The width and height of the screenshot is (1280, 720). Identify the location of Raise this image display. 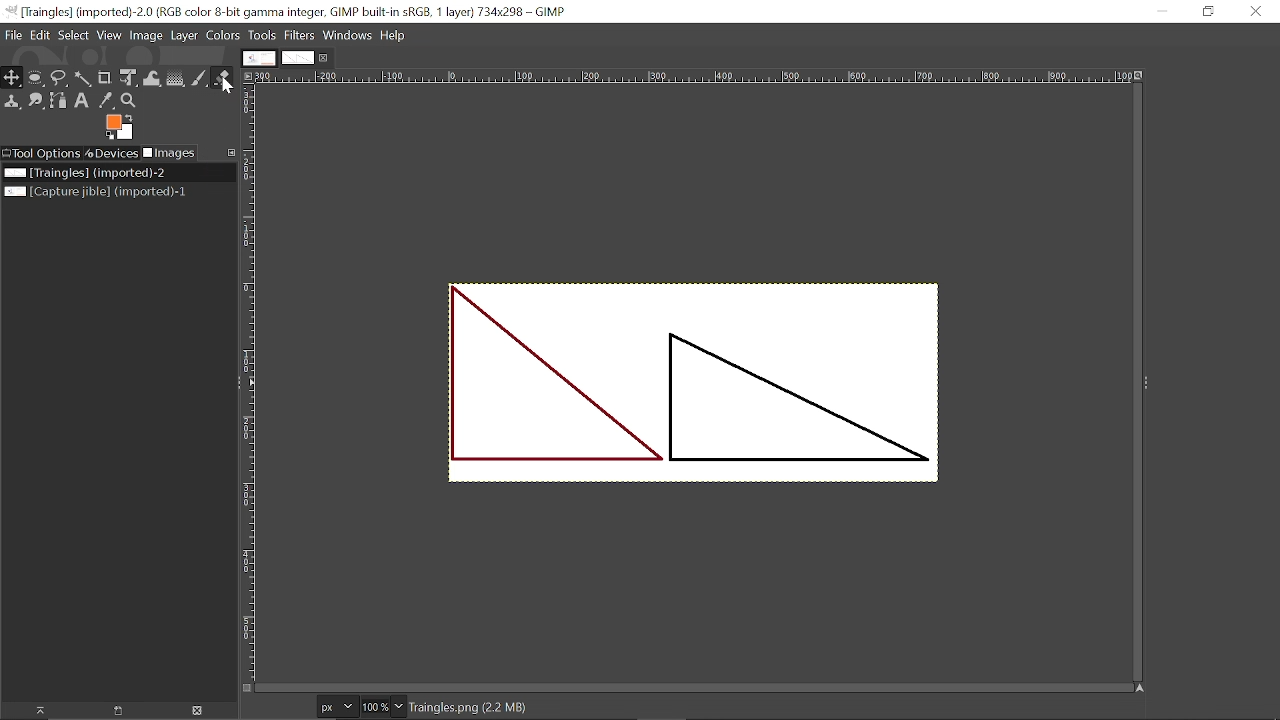
(36, 711).